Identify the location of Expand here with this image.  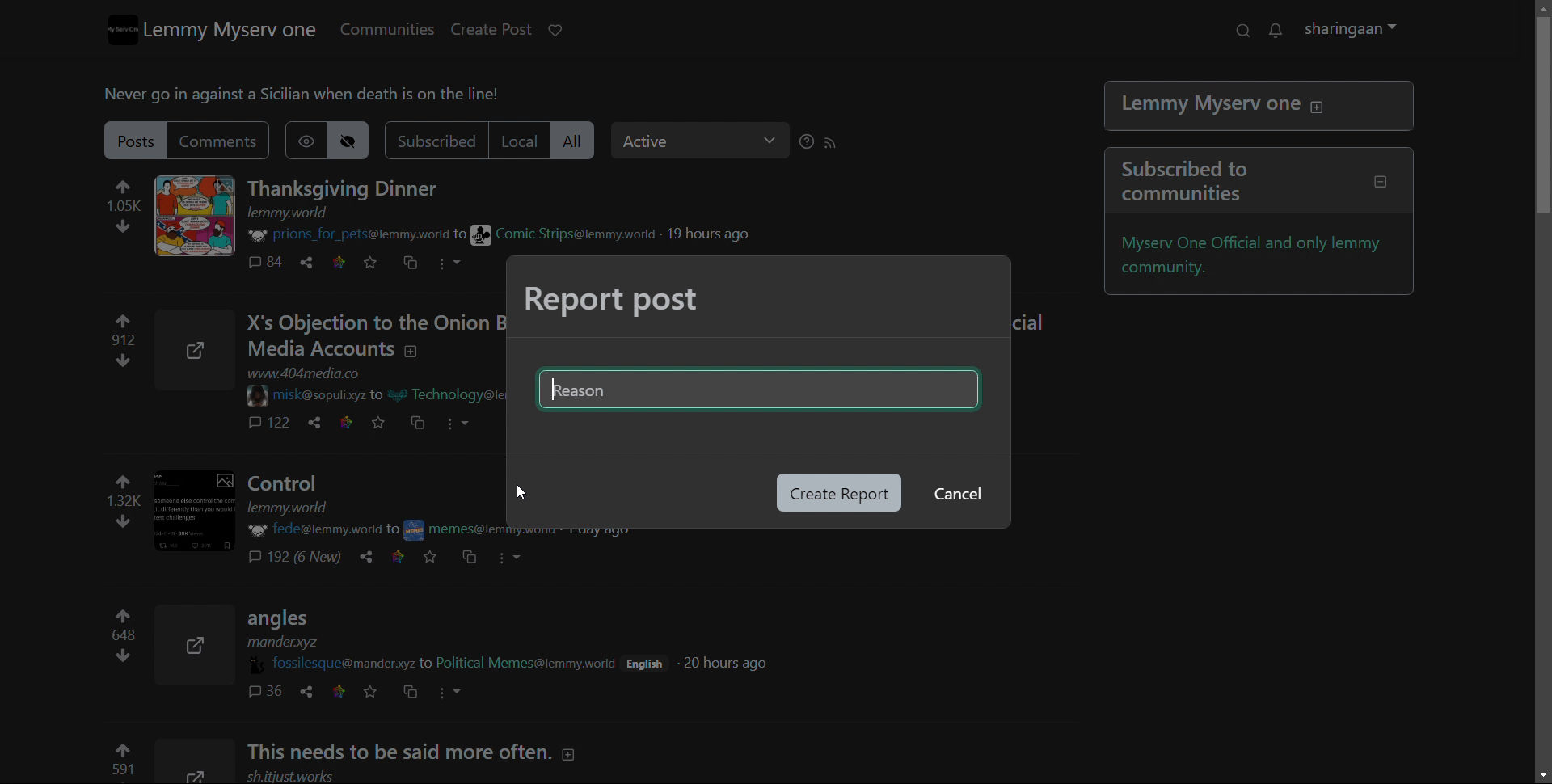
(196, 762).